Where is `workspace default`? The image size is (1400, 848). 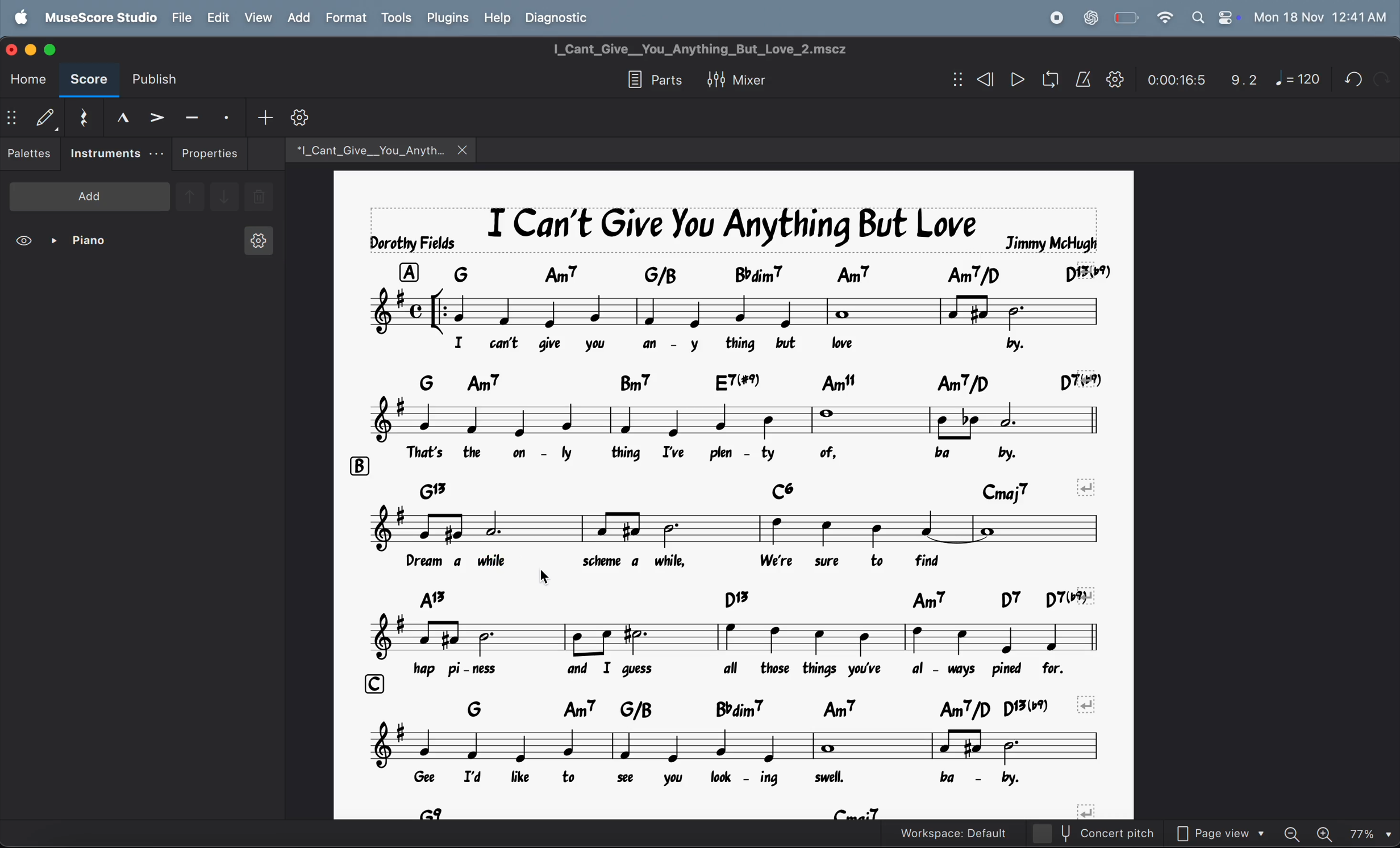 workspace default is located at coordinates (948, 833).